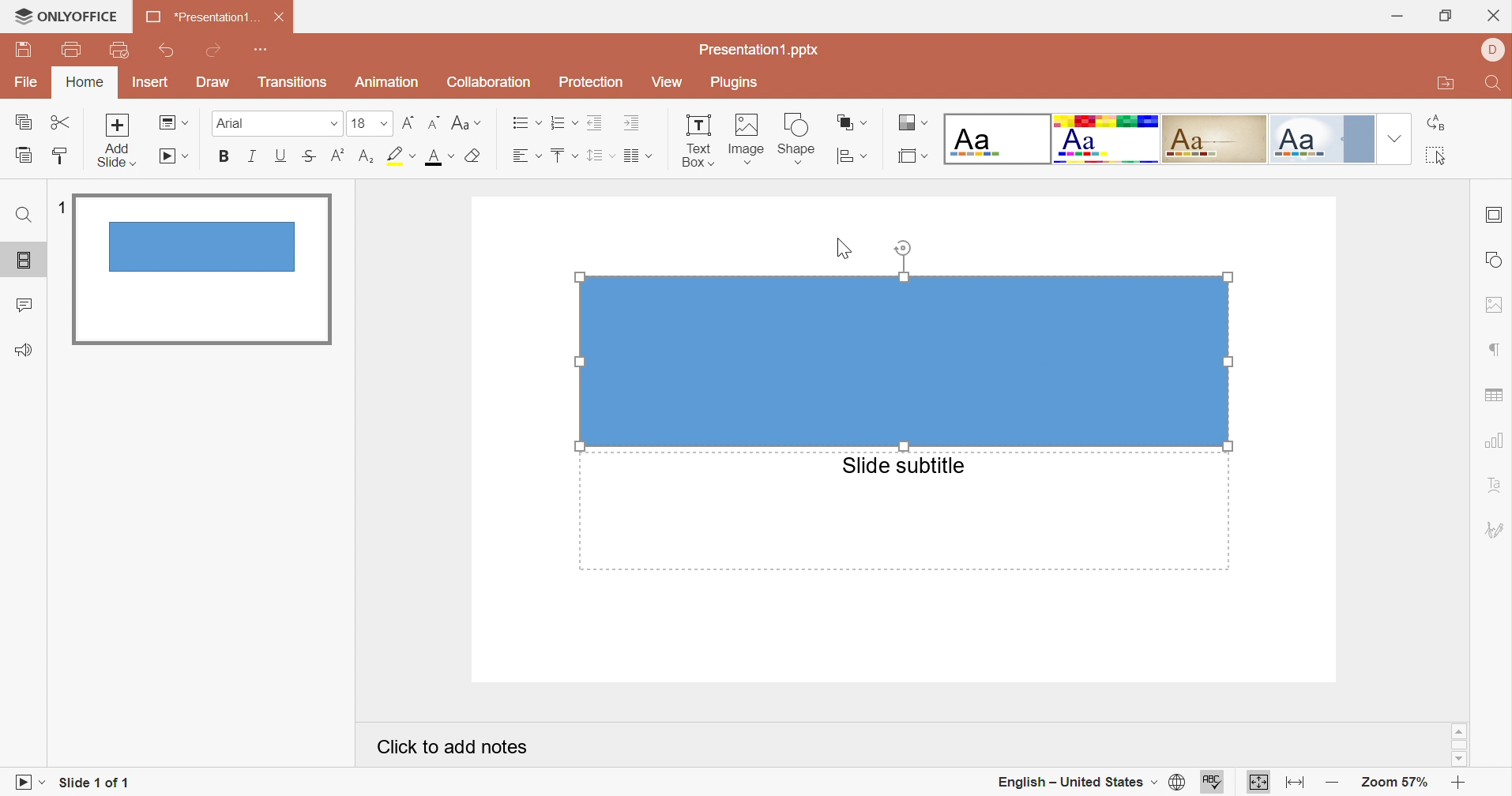 This screenshot has width=1512, height=796. I want to click on Signature settings, so click(1495, 531).